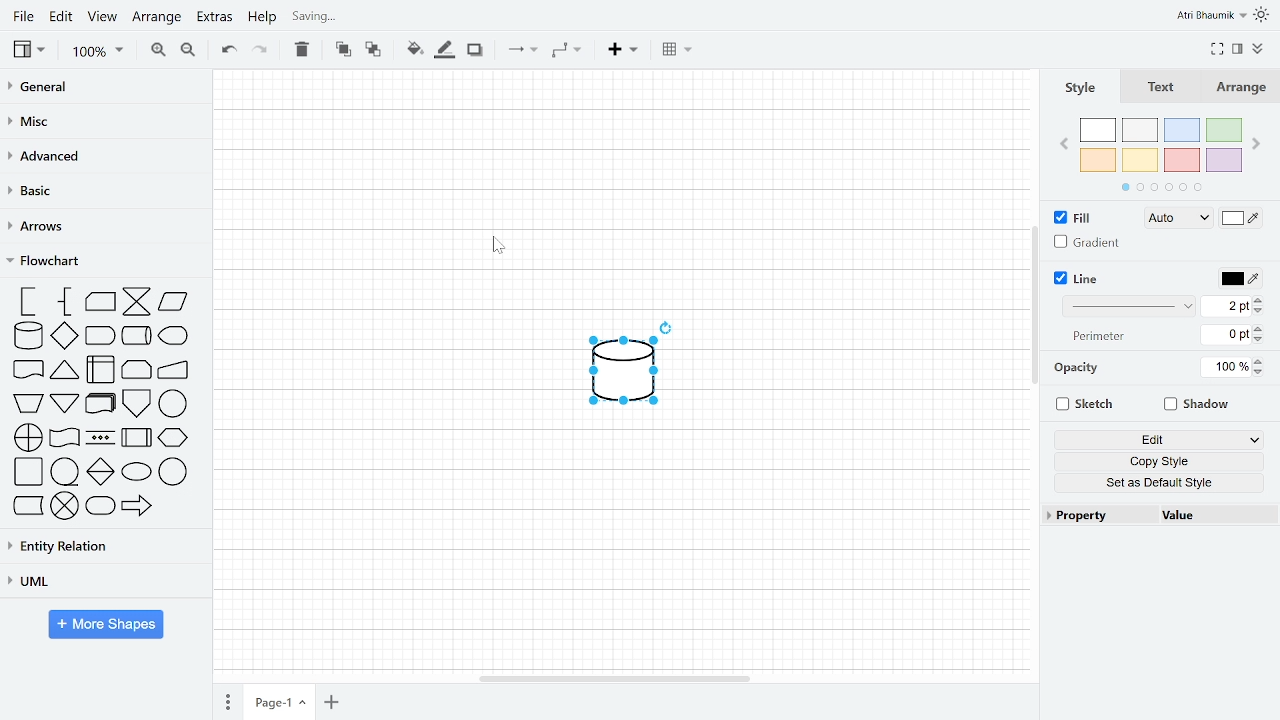  I want to click on Profile, so click(1210, 15).